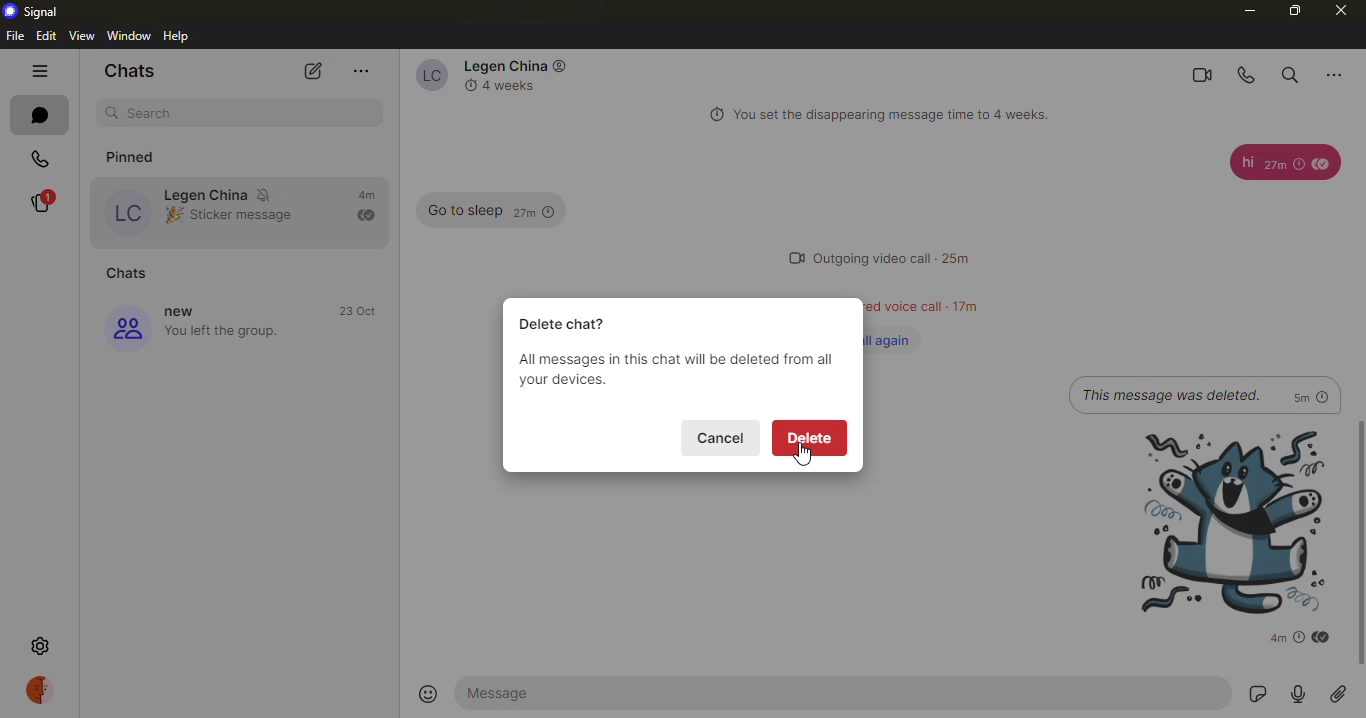 The width and height of the screenshot is (1366, 718). What do you see at coordinates (40, 643) in the screenshot?
I see `settings` at bounding box center [40, 643].